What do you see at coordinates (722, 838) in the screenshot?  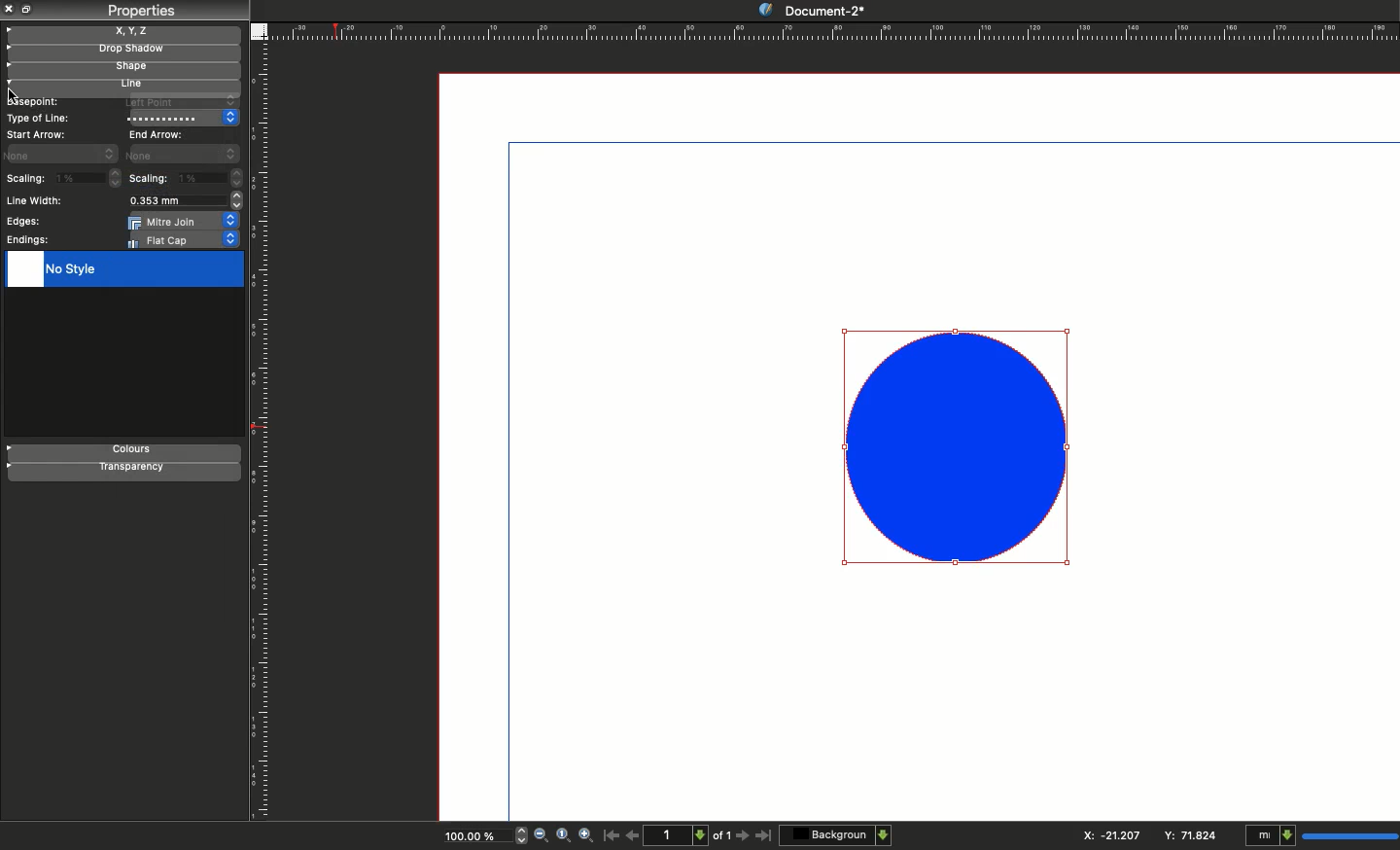 I see `of 1` at bounding box center [722, 838].